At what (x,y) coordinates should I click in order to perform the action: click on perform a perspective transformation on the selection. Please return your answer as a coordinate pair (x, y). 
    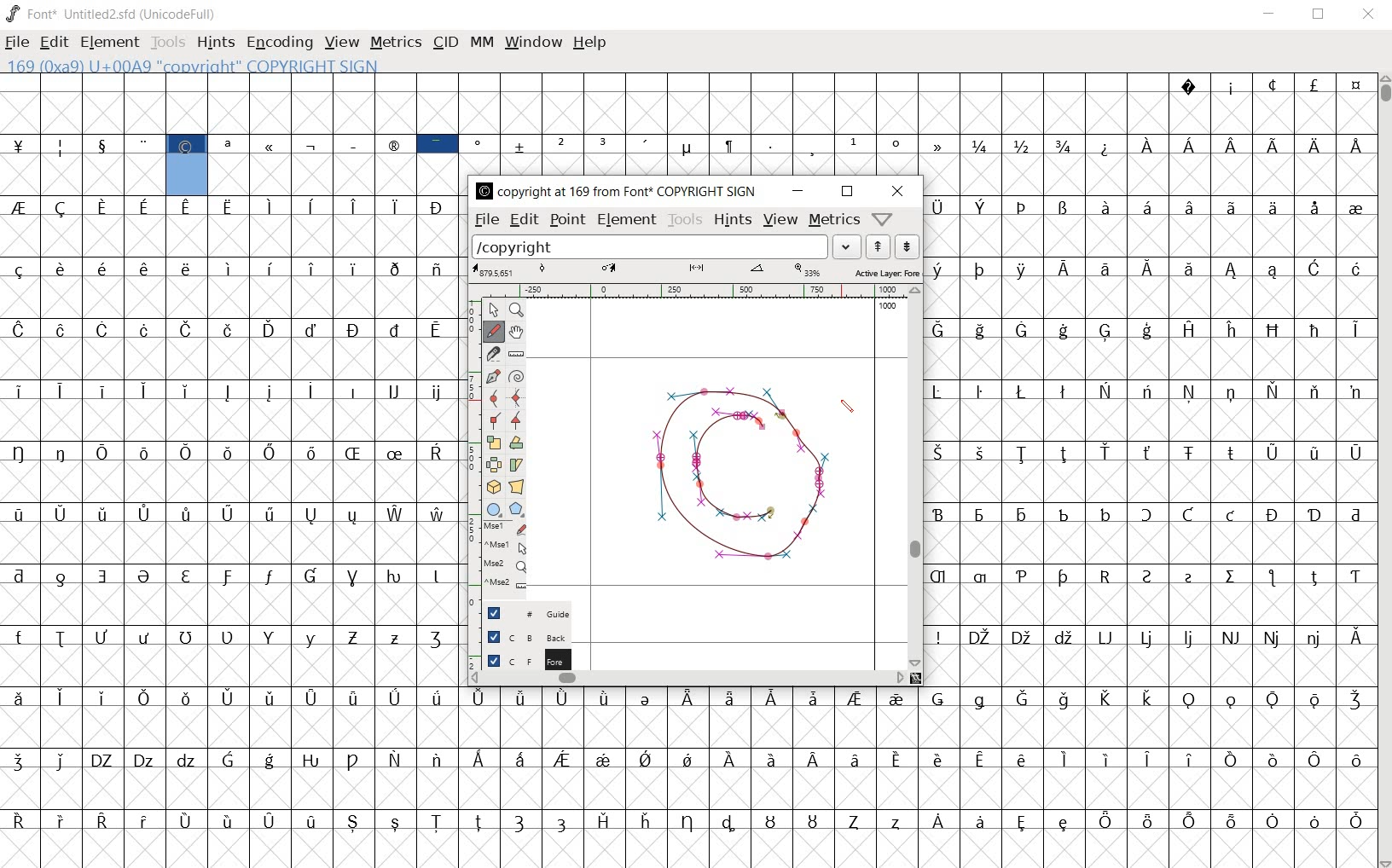
    Looking at the image, I should click on (517, 488).